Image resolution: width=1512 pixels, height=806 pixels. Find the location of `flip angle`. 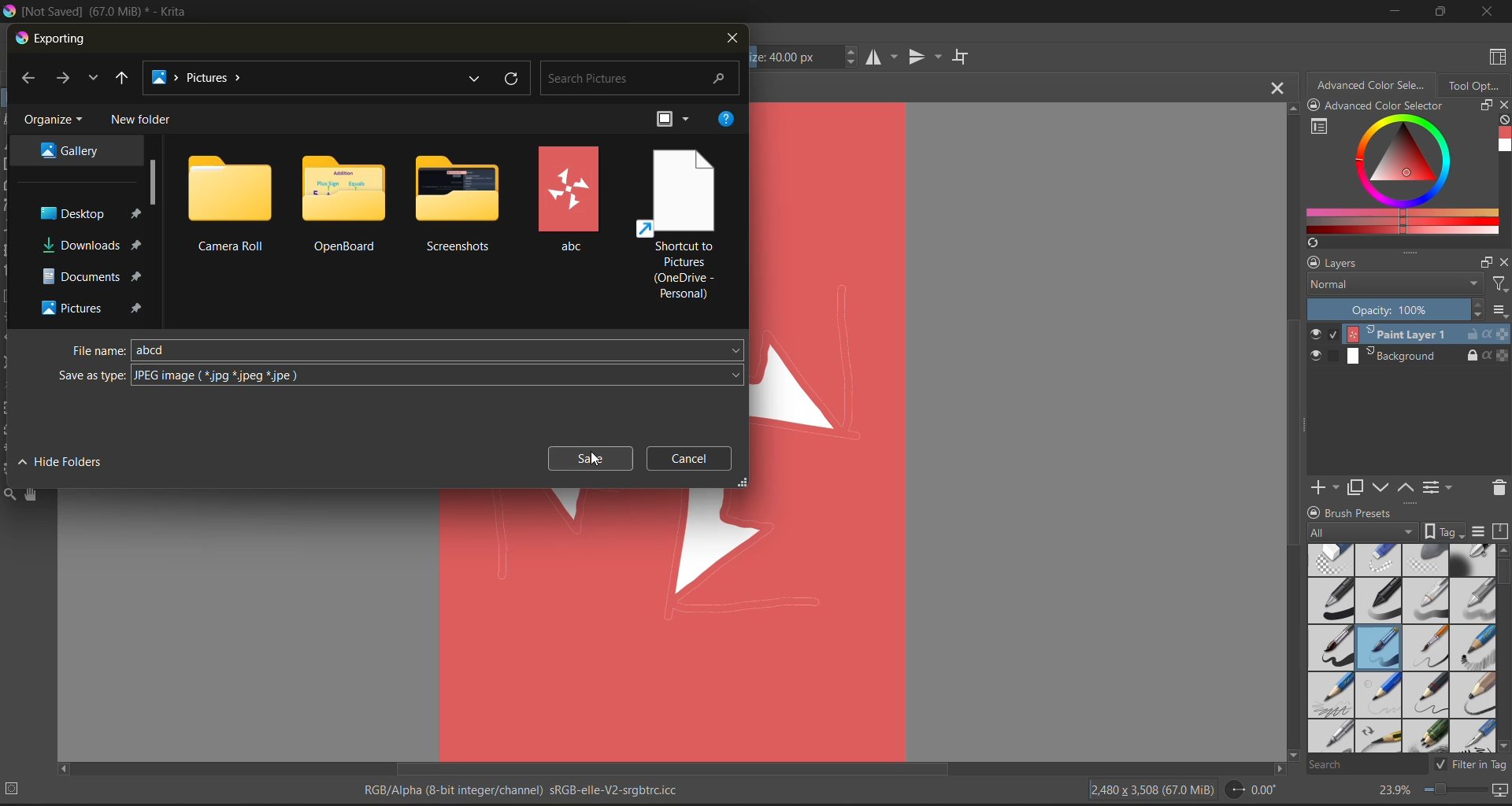

flip angle is located at coordinates (1251, 790).